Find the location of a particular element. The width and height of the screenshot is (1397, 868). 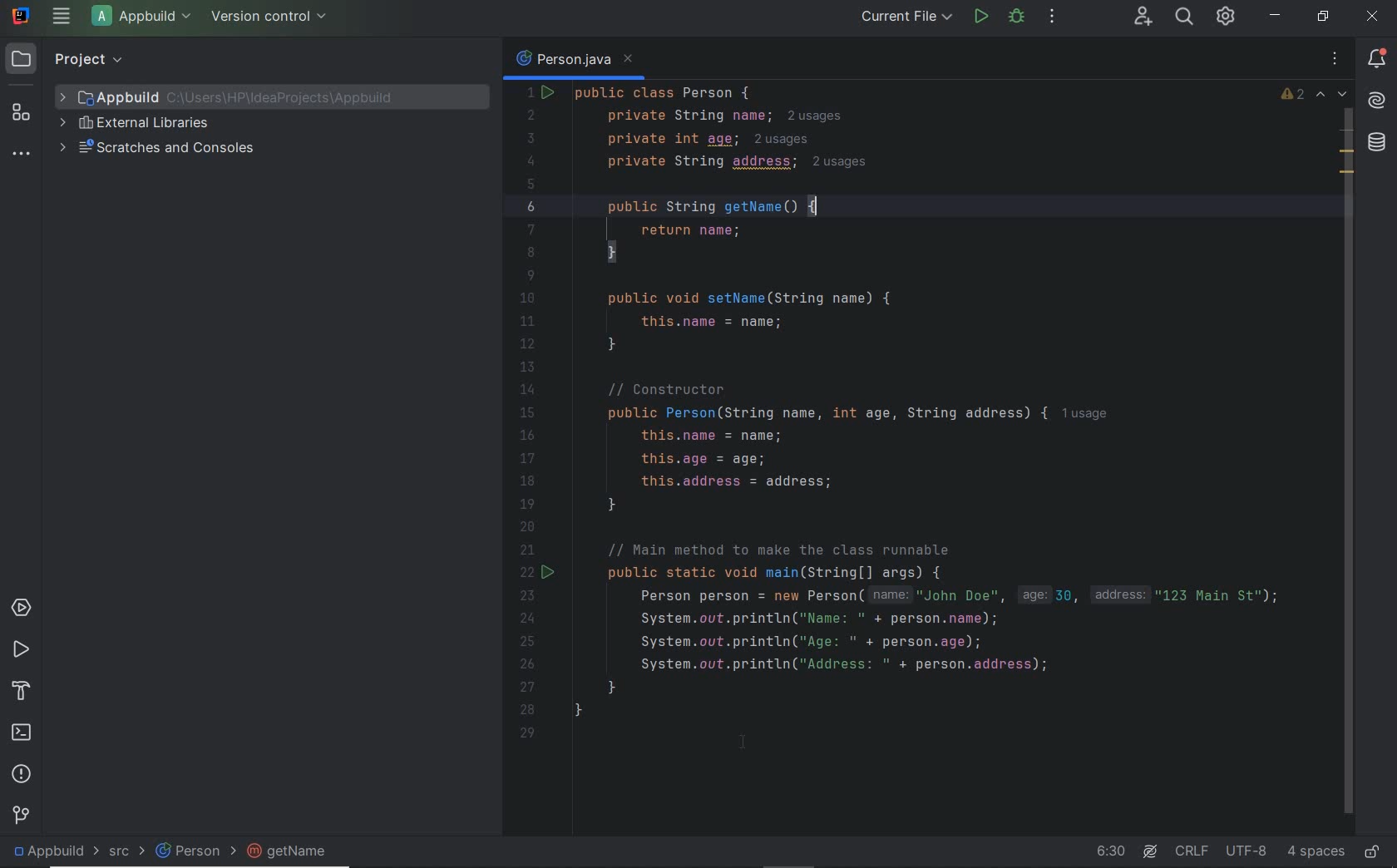

codes is located at coordinates (886, 128).